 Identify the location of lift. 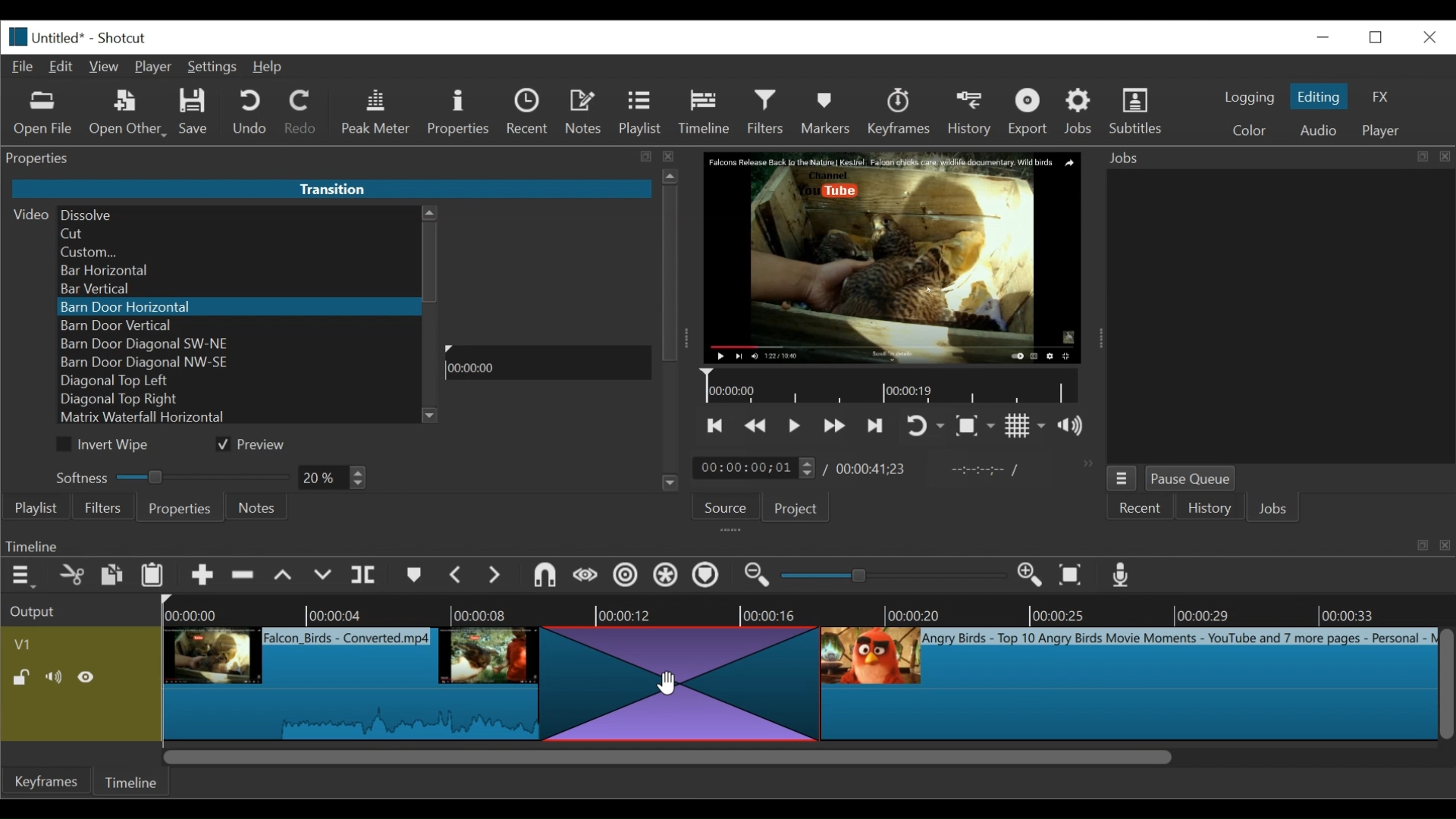
(284, 576).